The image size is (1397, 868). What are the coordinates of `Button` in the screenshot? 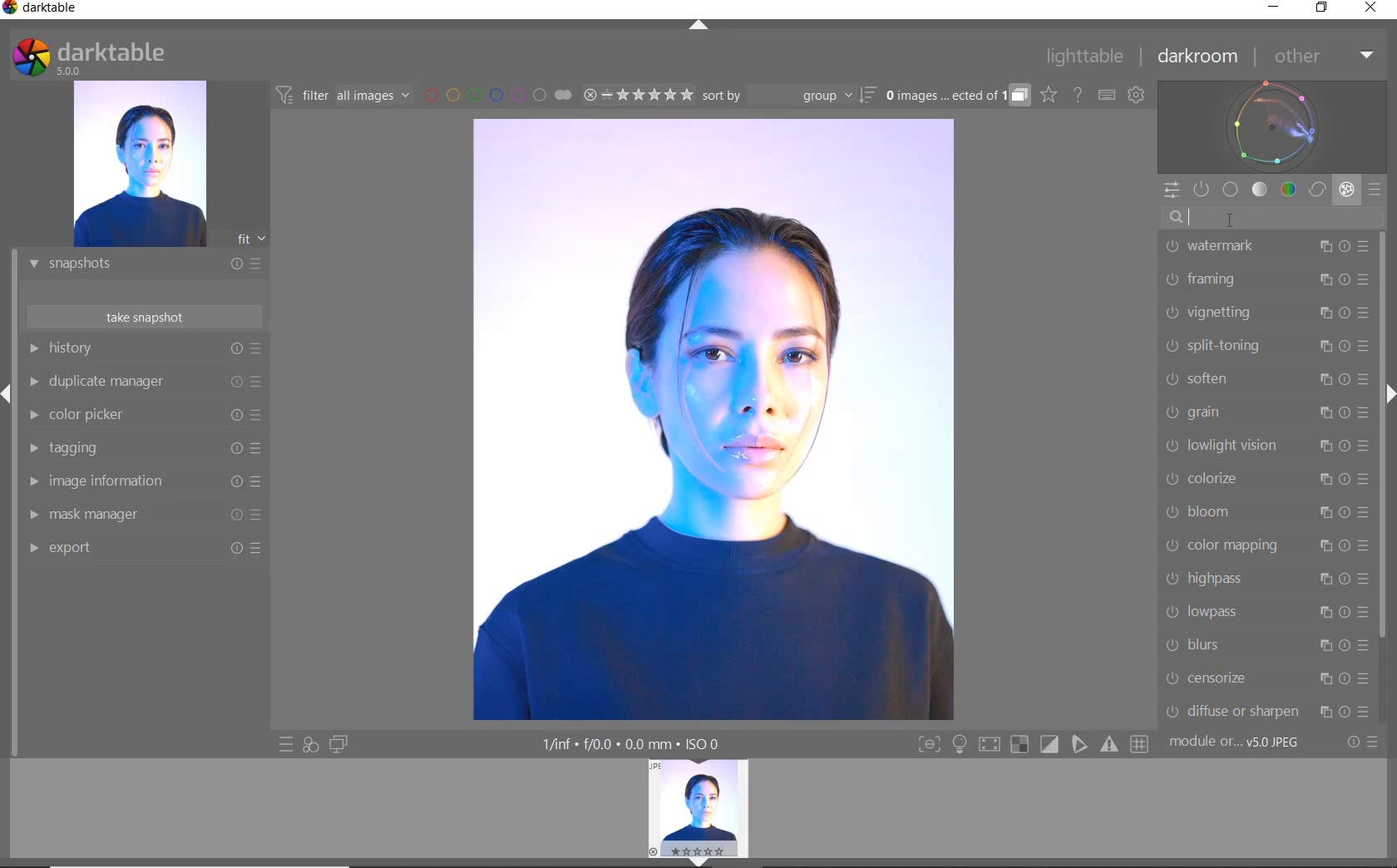 It's located at (1080, 744).